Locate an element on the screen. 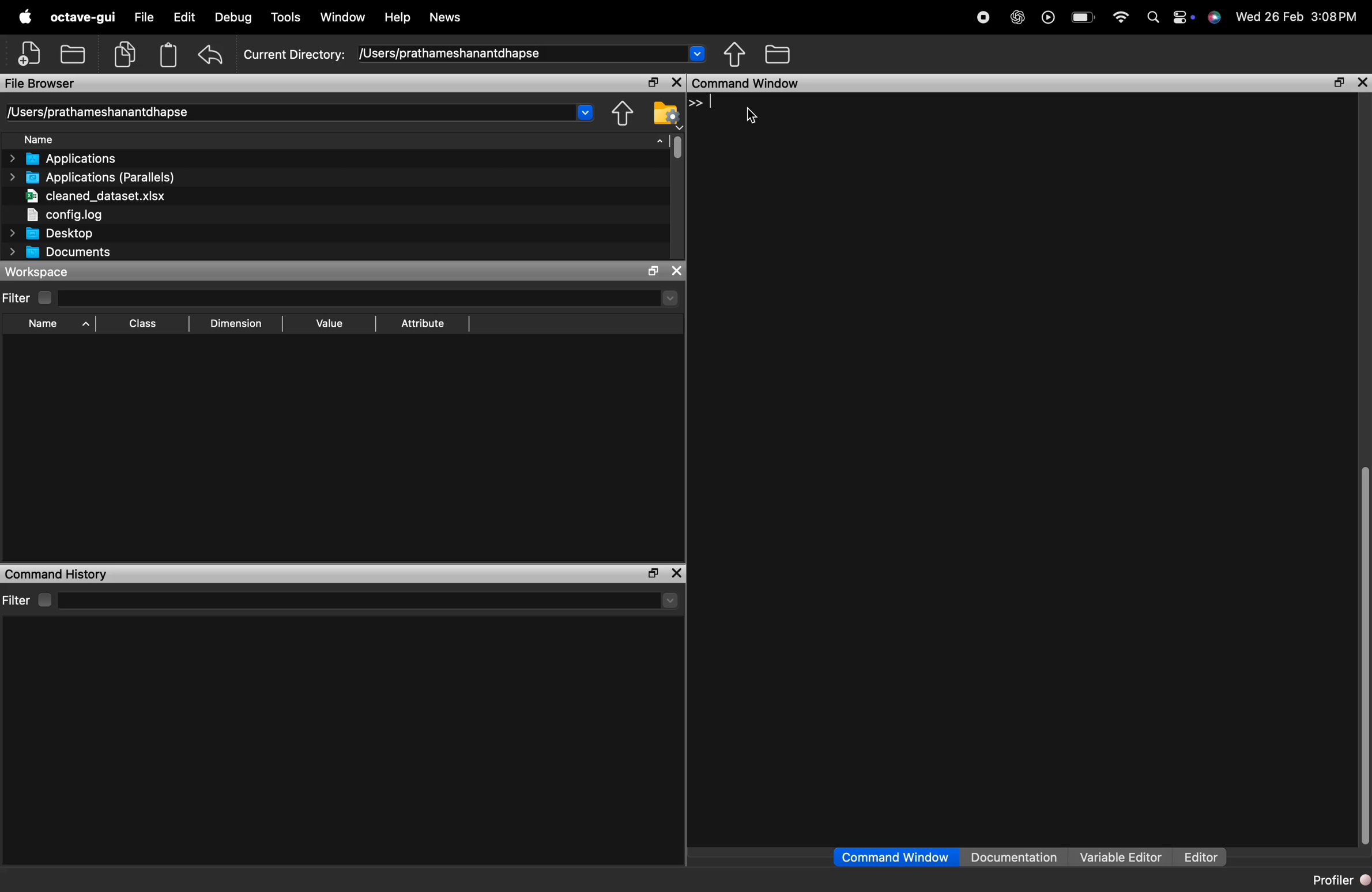  Variable Editor is located at coordinates (1118, 858).